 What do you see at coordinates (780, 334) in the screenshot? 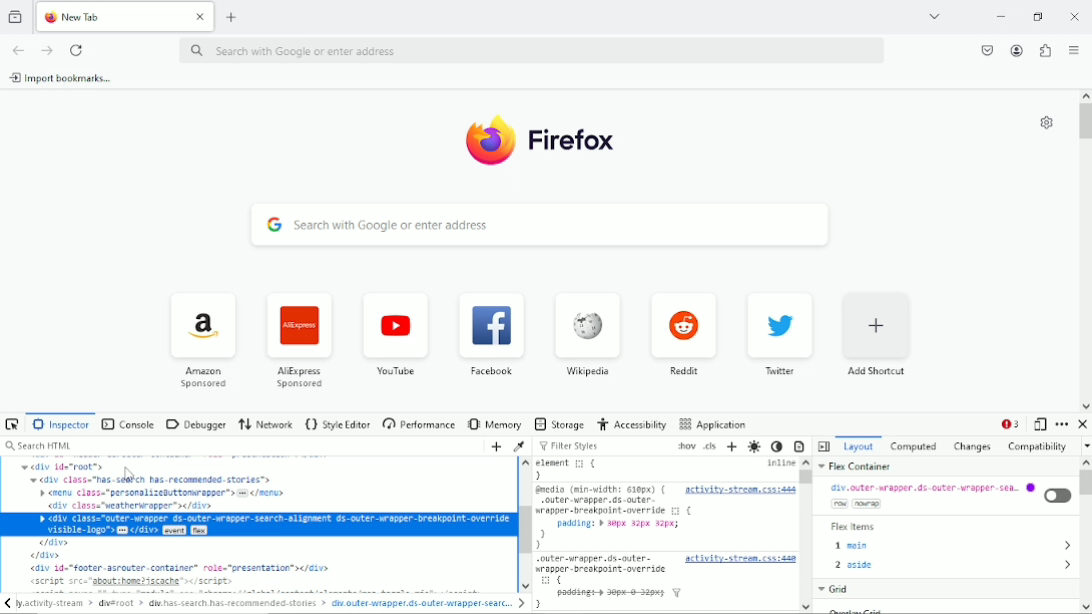
I see `Twitter` at bounding box center [780, 334].